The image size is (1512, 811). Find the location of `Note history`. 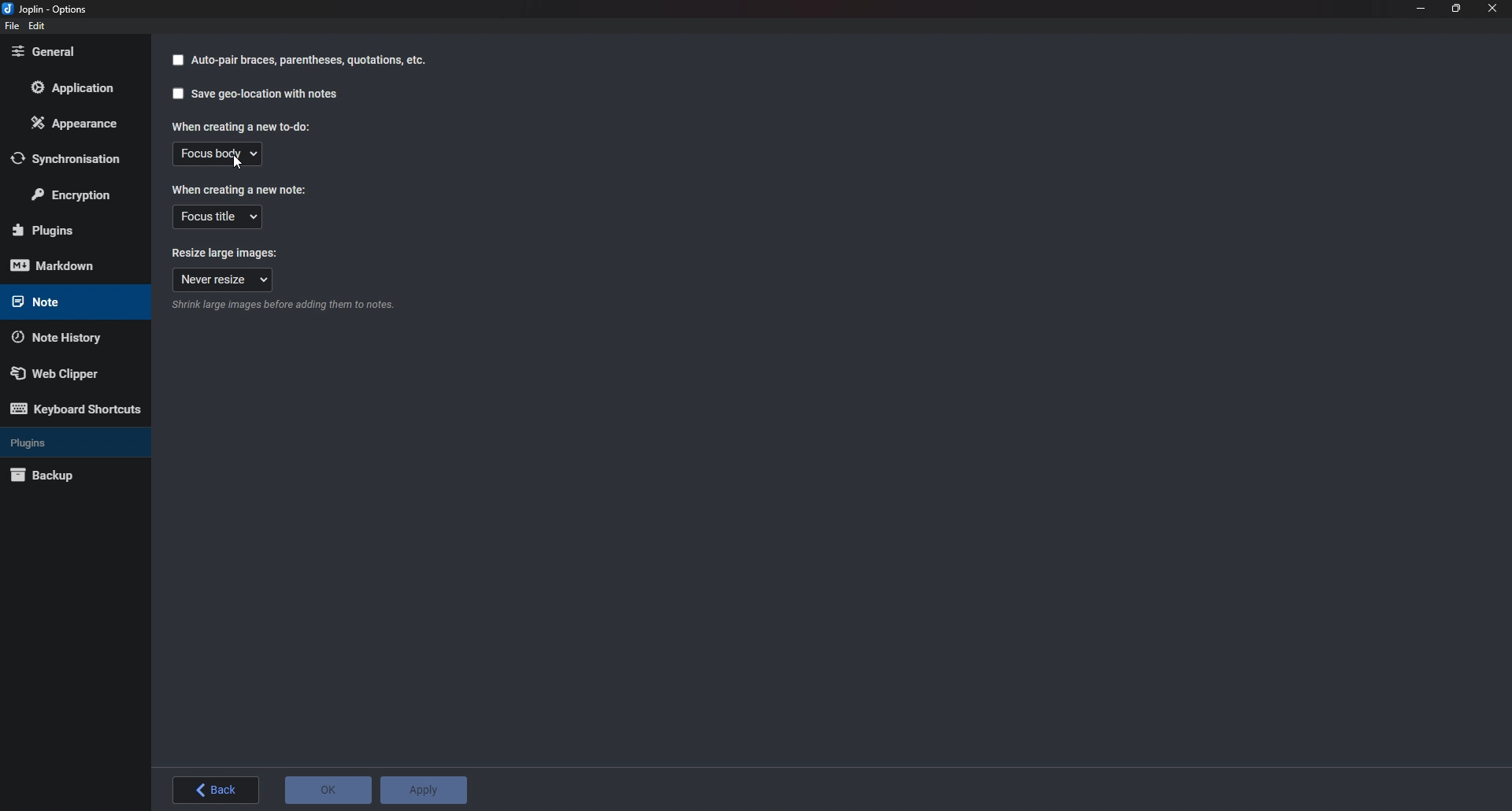

Note history is located at coordinates (69, 335).